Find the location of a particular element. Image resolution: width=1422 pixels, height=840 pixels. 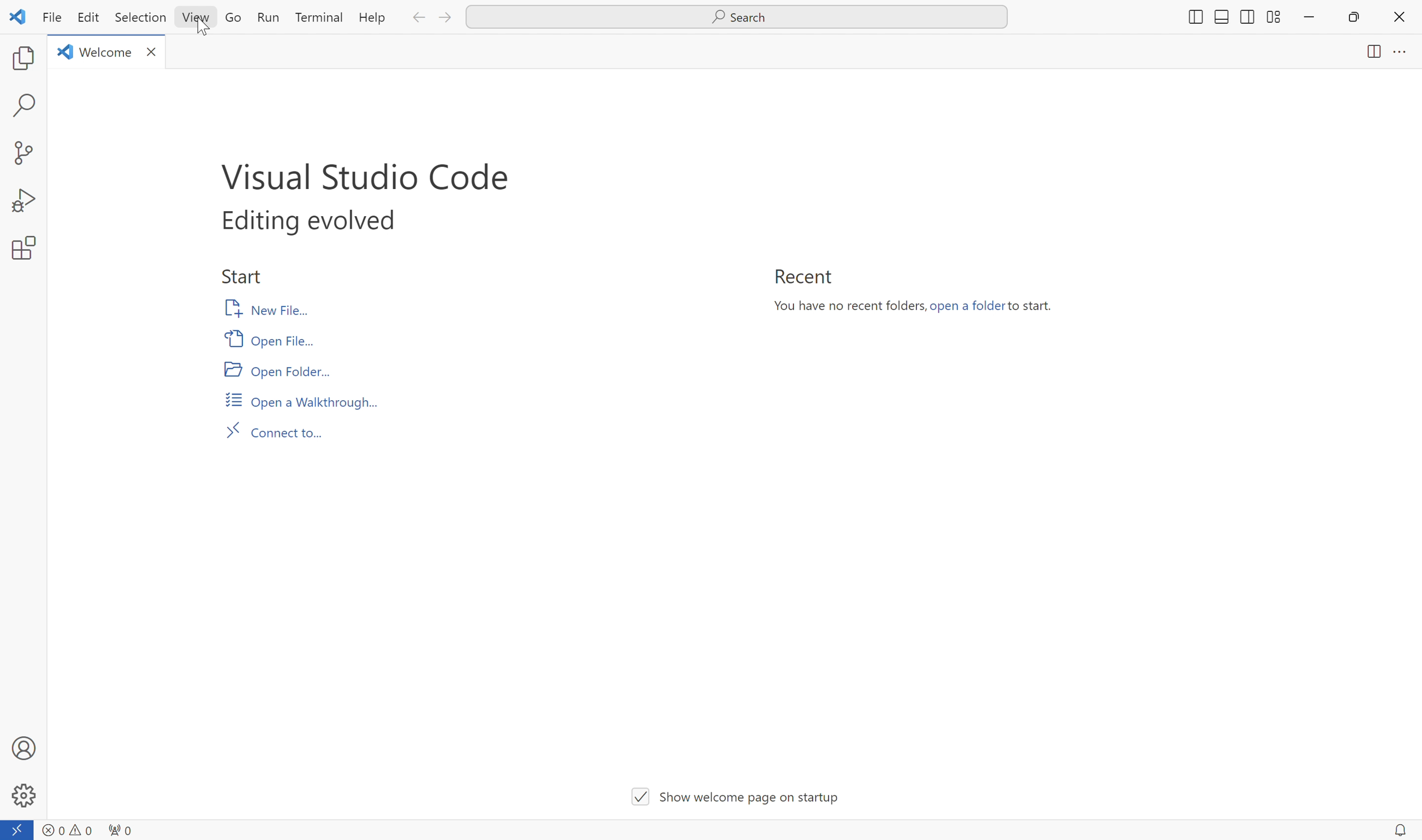

pages is located at coordinates (1369, 53).